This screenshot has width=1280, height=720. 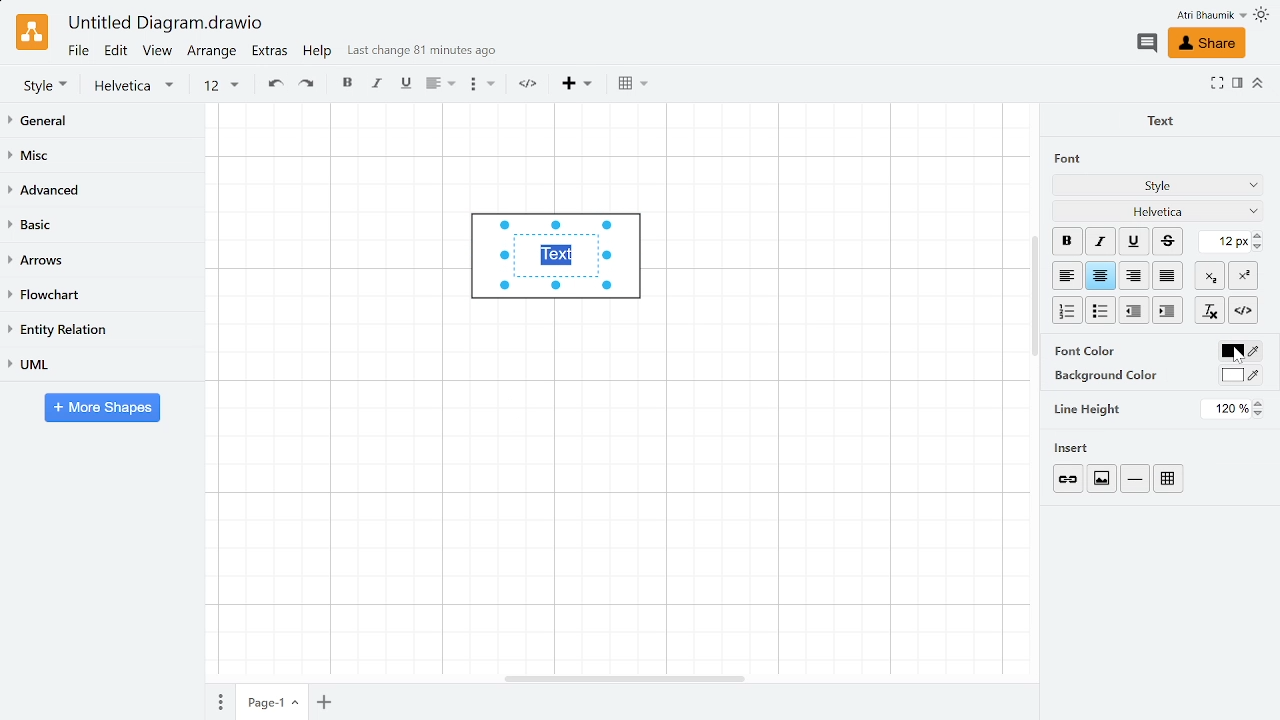 I want to click on CLear formatting, so click(x=1209, y=311).